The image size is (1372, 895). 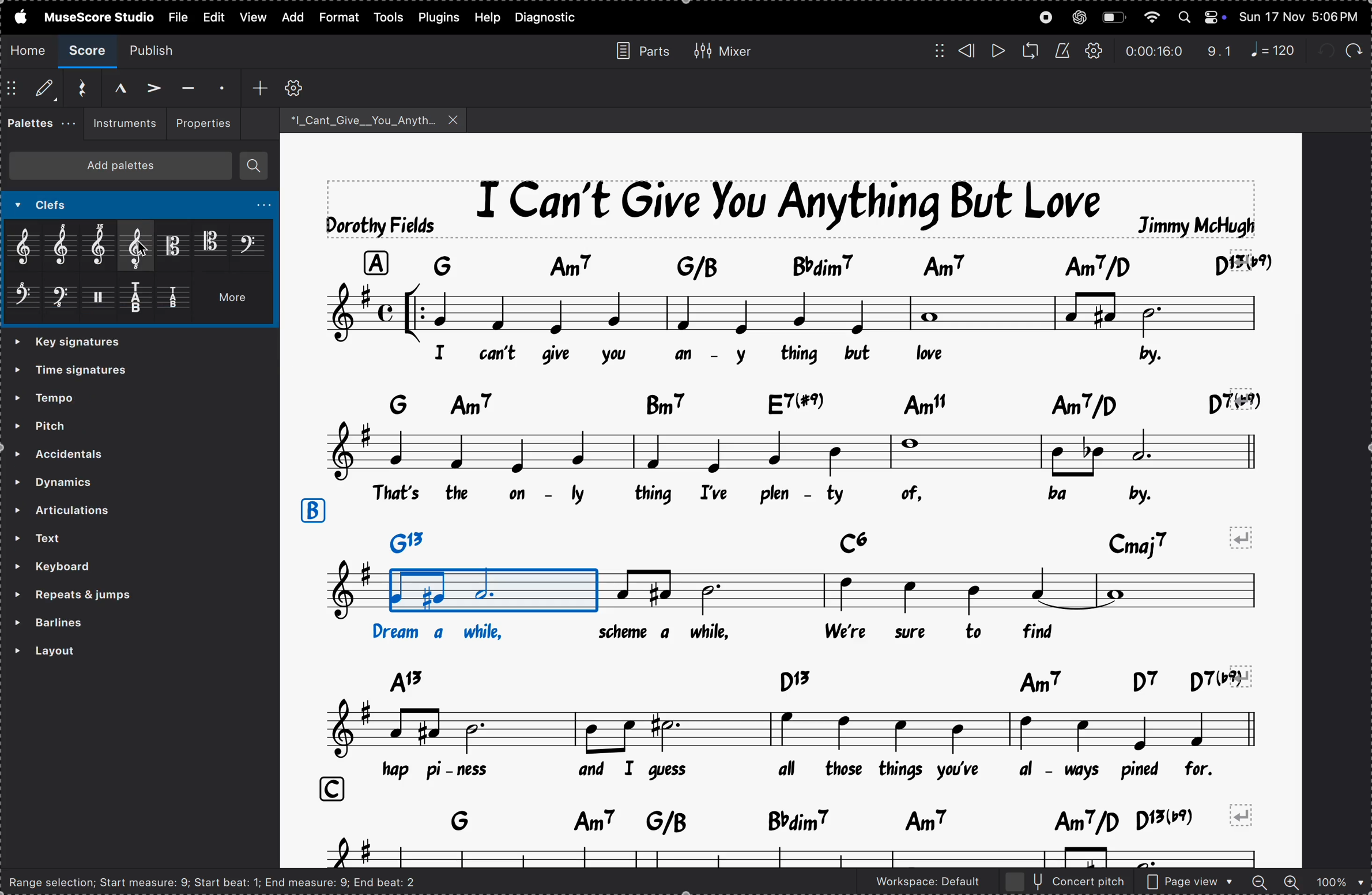 I want to click on add, so click(x=290, y=17).